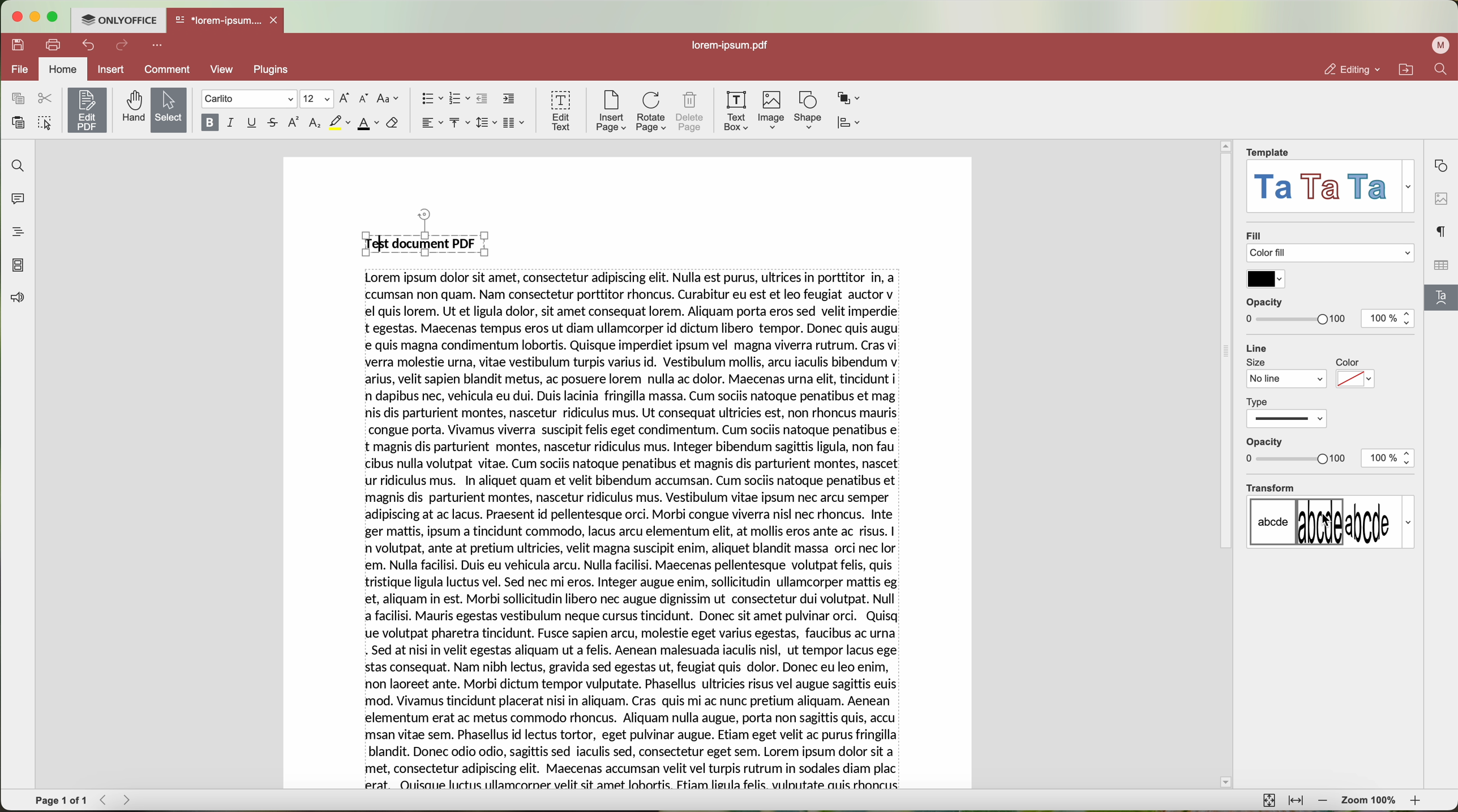 Image resolution: width=1458 pixels, height=812 pixels. What do you see at coordinates (37, 17) in the screenshot?
I see `minimize` at bounding box center [37, 17].